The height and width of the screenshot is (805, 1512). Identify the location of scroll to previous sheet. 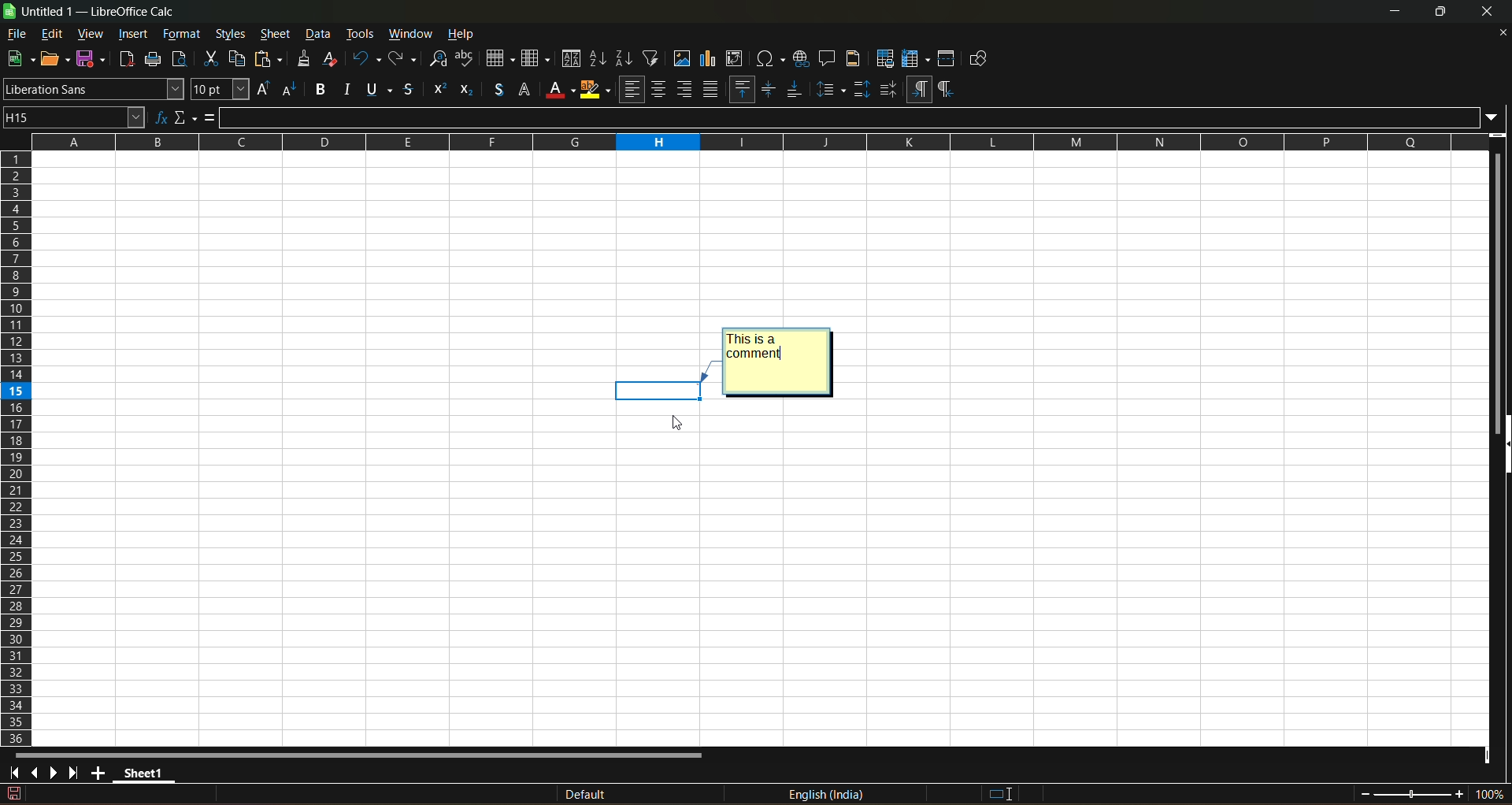
(38, 773).